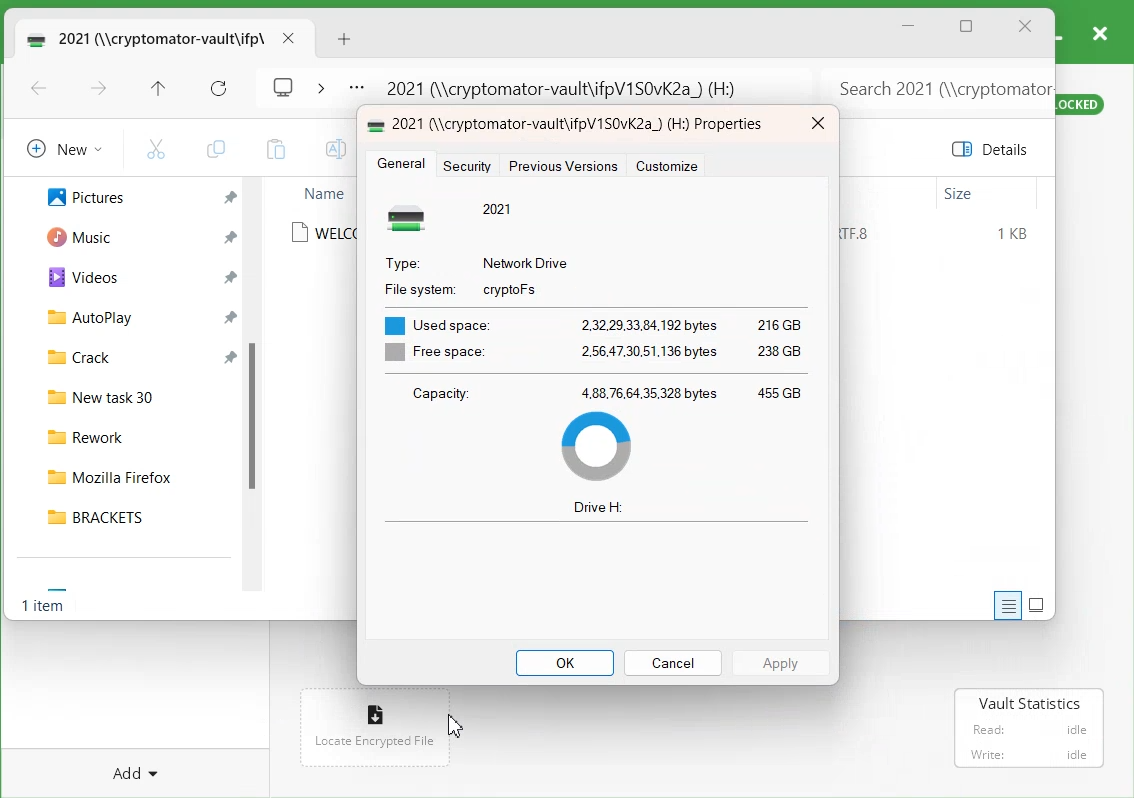 This screenshot has height=798, width=1134. I want to click on Pin a file, so click(232, 277).